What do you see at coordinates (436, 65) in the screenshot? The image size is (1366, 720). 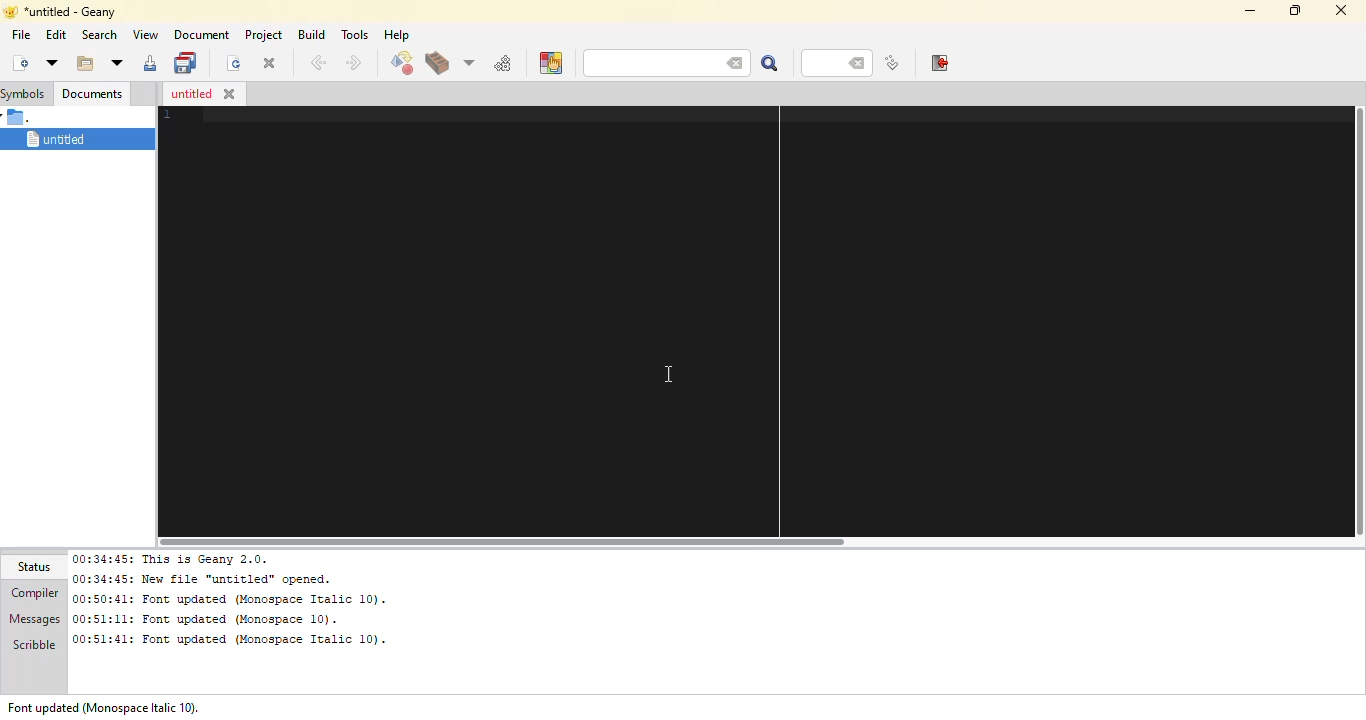 I see `build` at bounding box center [436, 65].